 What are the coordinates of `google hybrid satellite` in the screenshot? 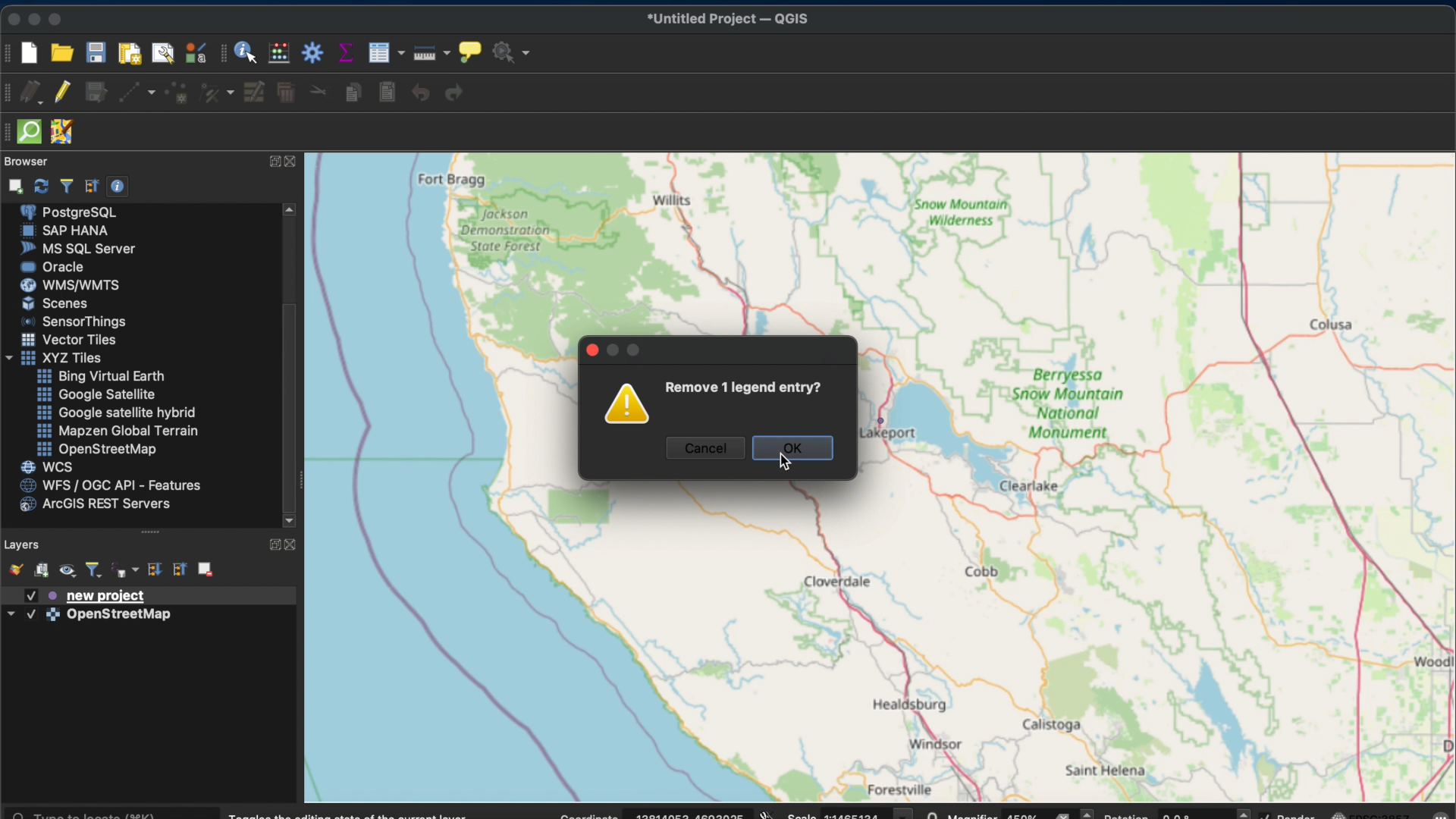 It's located at (118, 412).